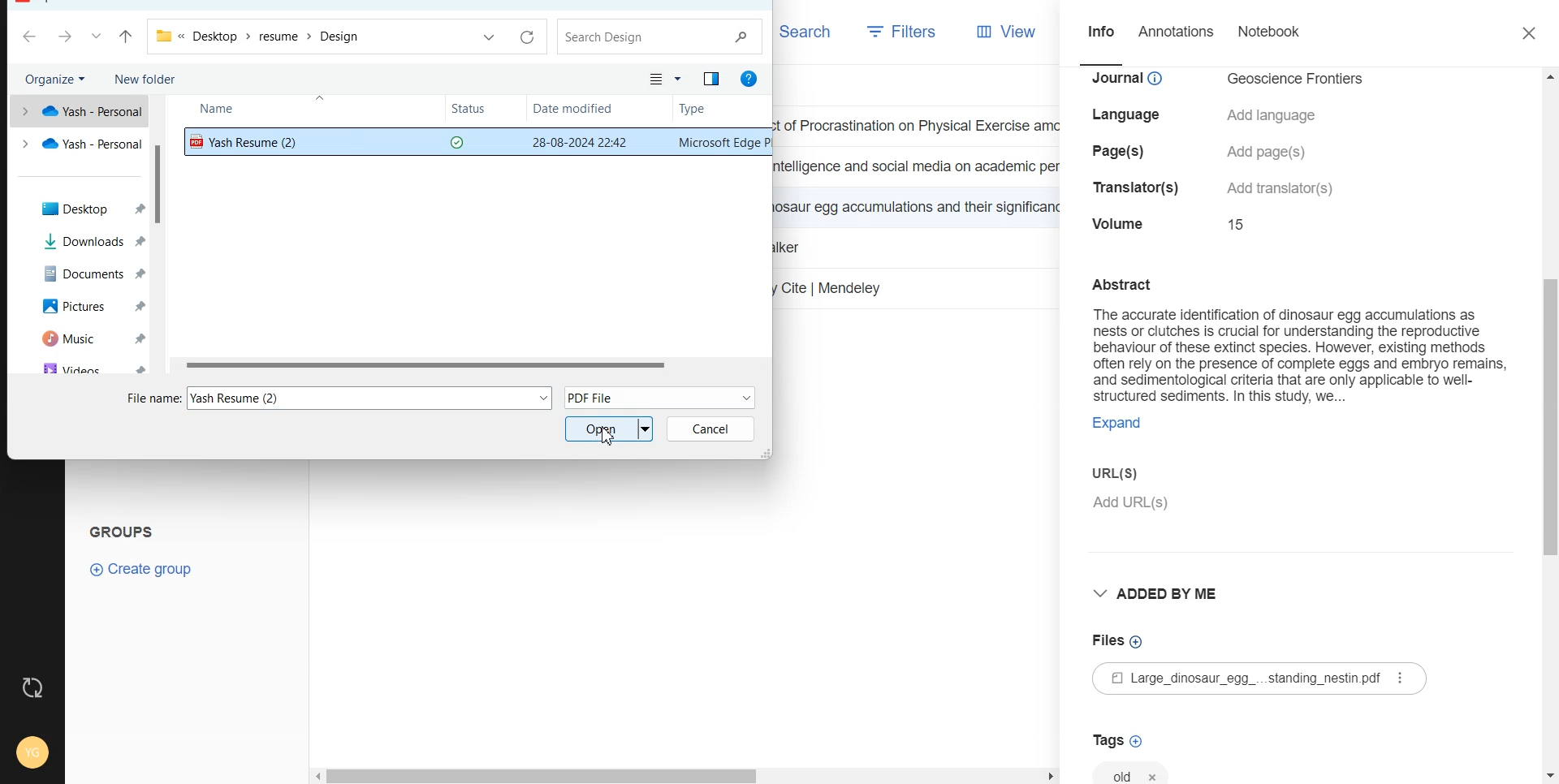 The width and height of the screenshot is (1559, 784). I want to click on details, so click(1281, 188).